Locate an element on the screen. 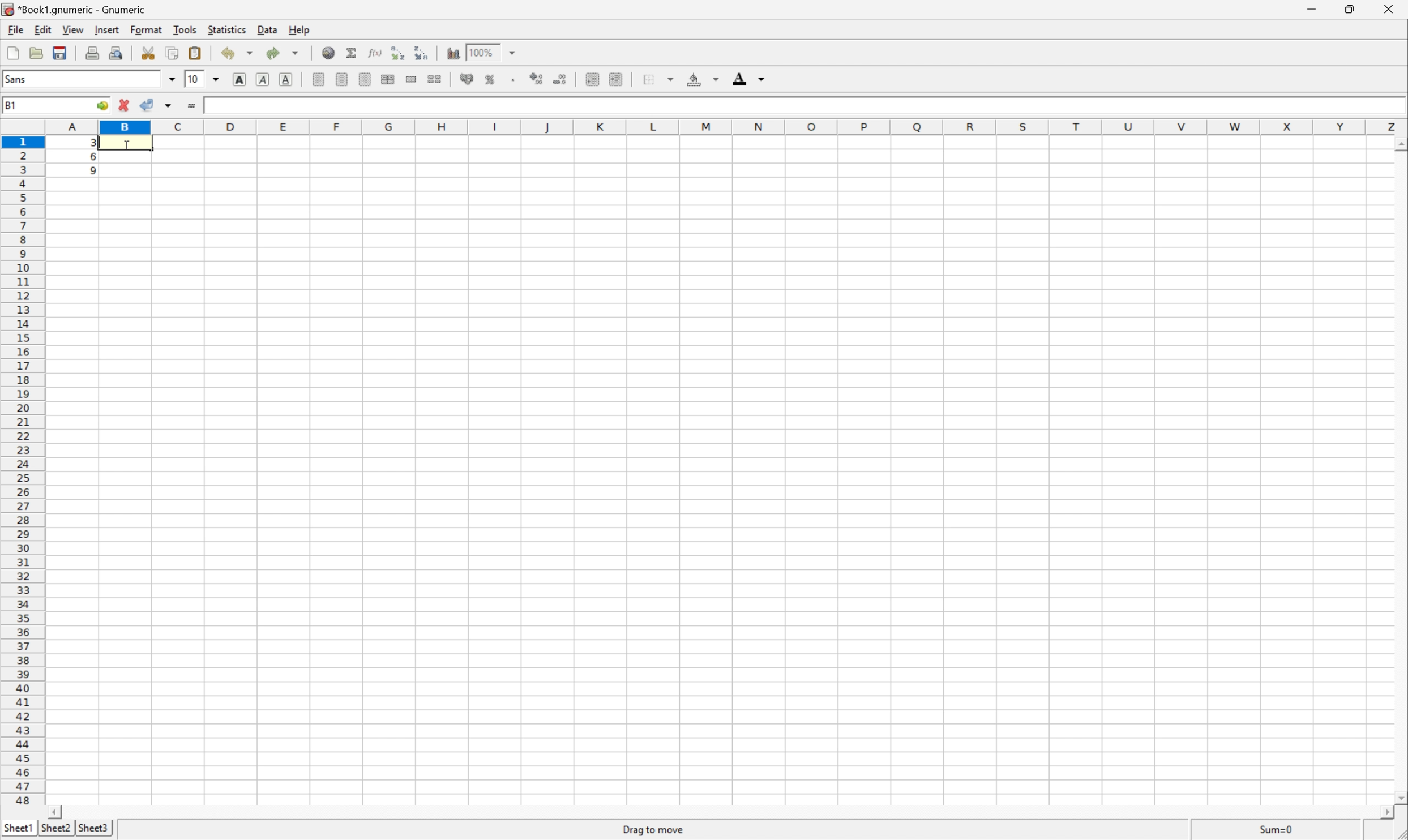 Image resolution: width=1408 pixels, height=840 pixels. Scroll Right is located at coordinates (1383, 813).